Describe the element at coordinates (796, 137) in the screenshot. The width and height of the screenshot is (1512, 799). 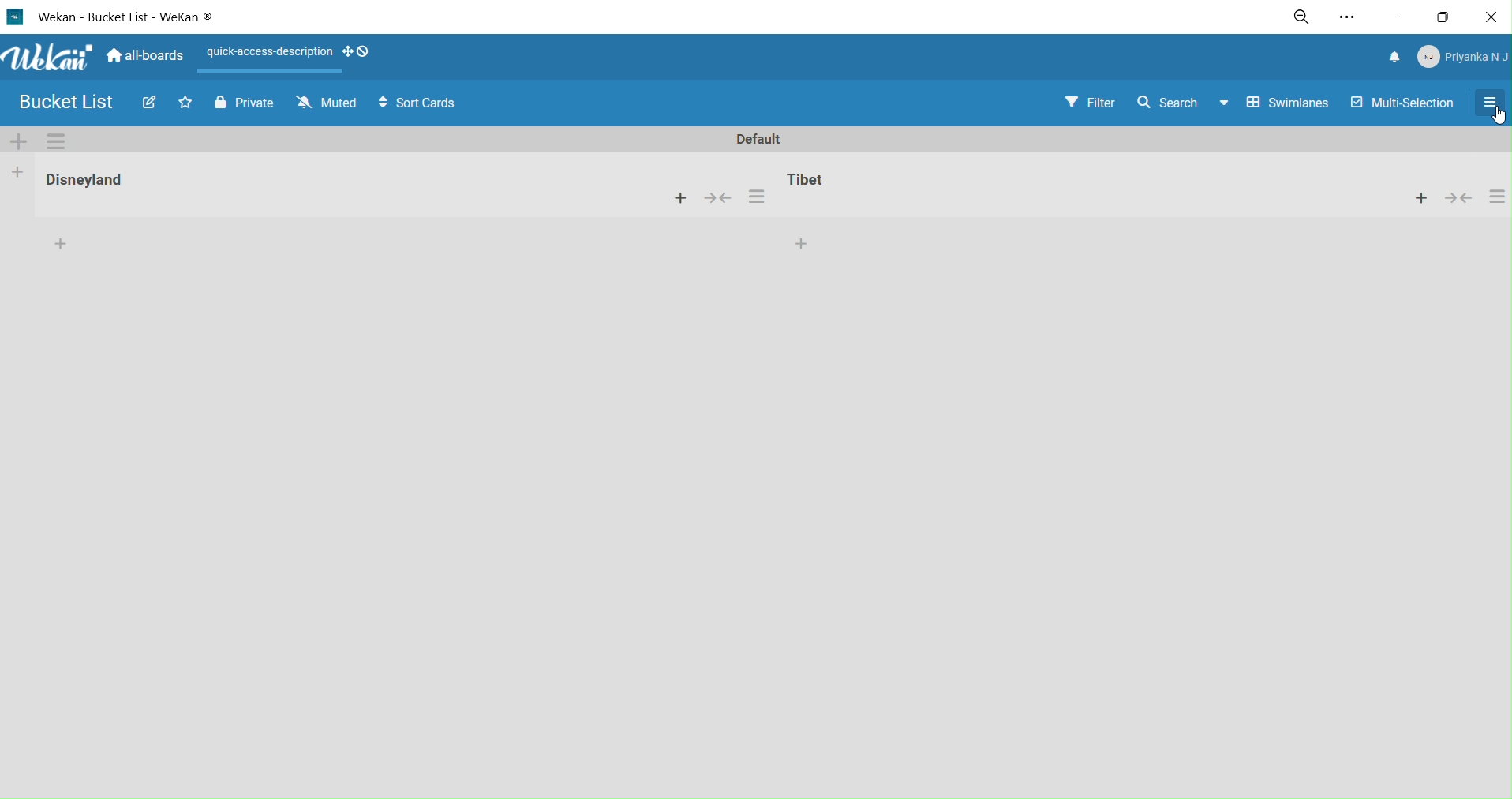
I see `default` at that location.